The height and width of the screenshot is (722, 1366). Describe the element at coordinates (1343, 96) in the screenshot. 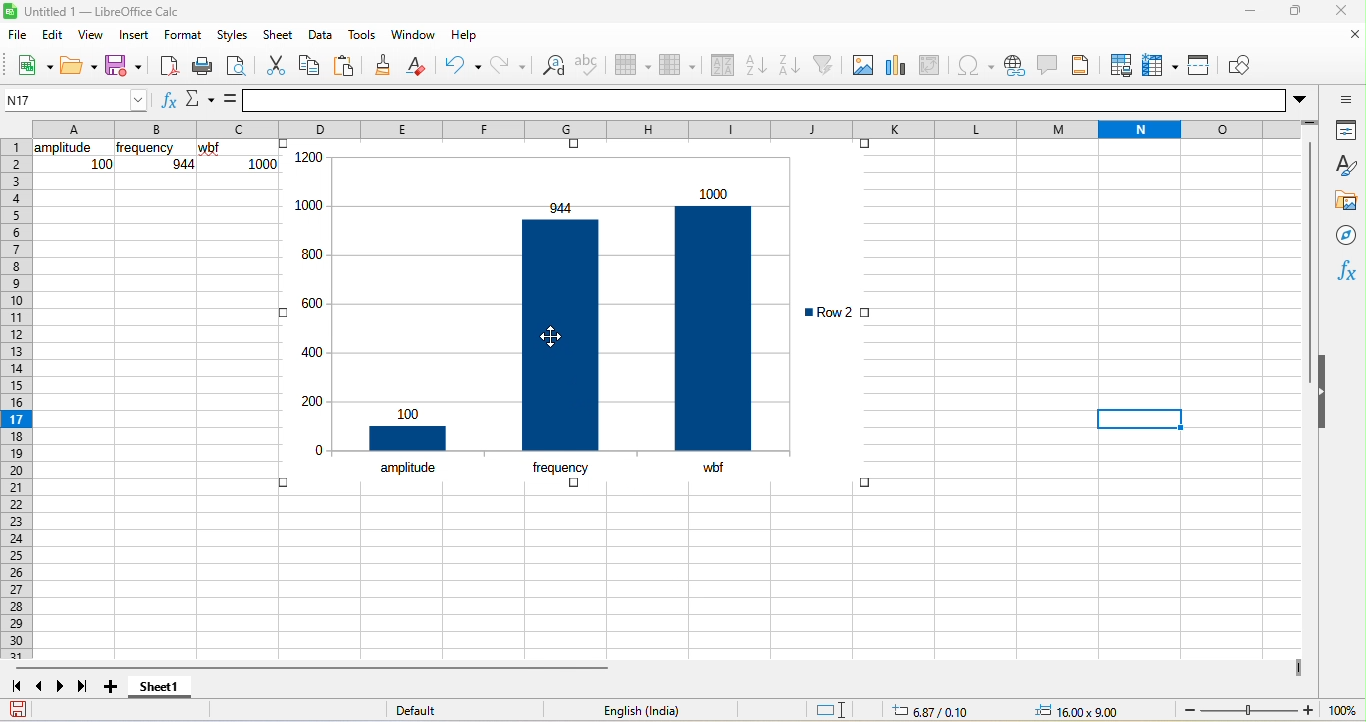

I see `sidebar settings` at that location.